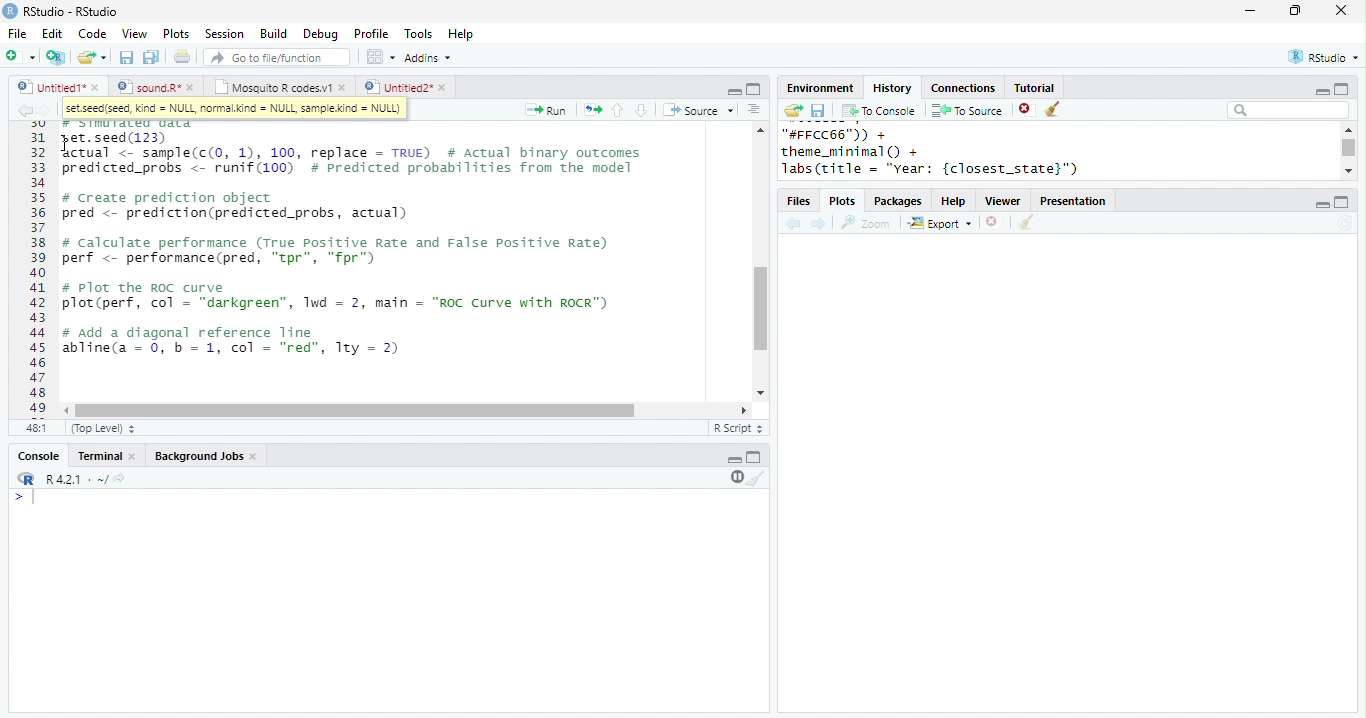 This screenshot has width=1366, height=718. I want to click on # Create prediction object
pred <- prediction(predicted_probs, actual), so click(234, 207).